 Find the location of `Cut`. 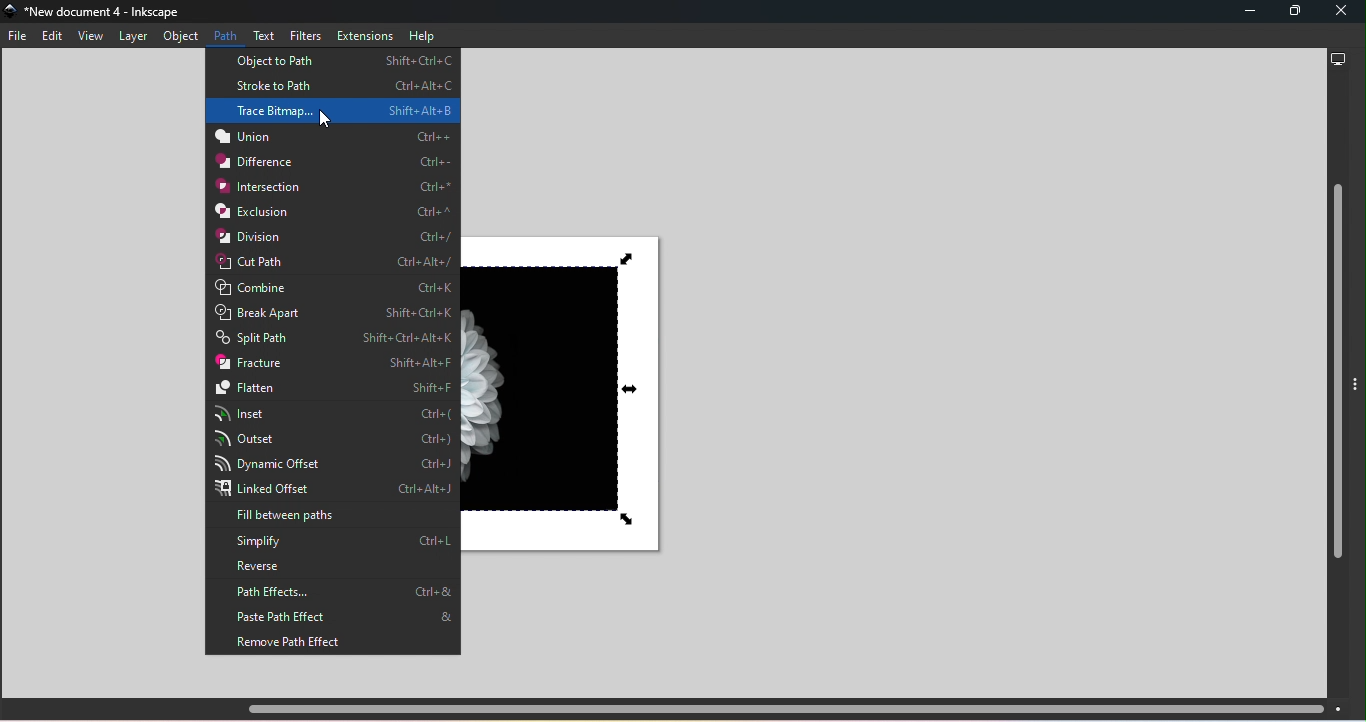

Cut is located at coordinates (332, 262).